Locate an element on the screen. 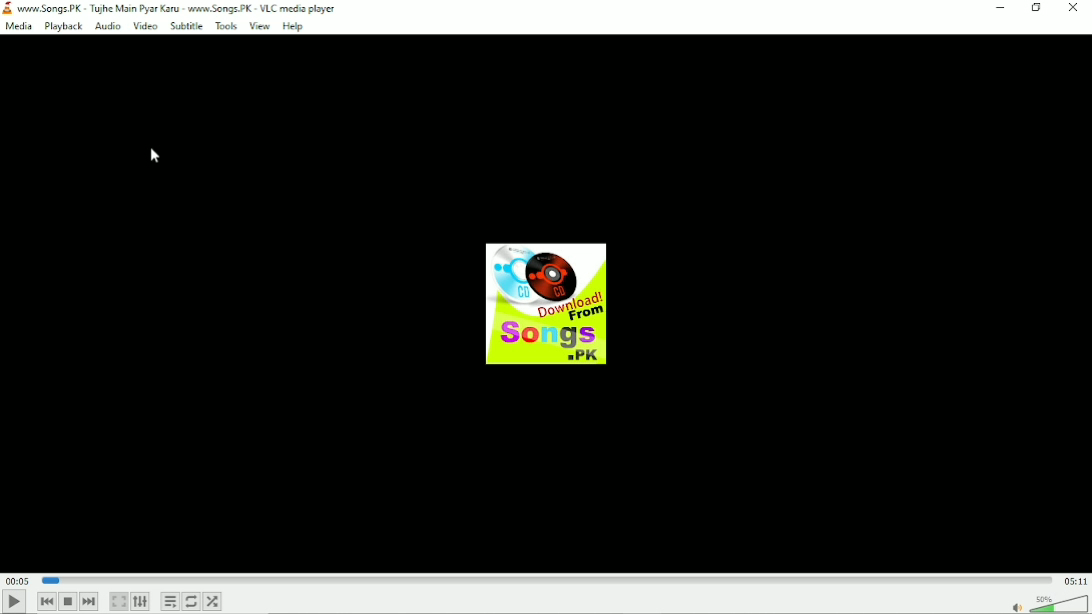 The image size is (1092, 614). Next is located at coordinates (91, 602).